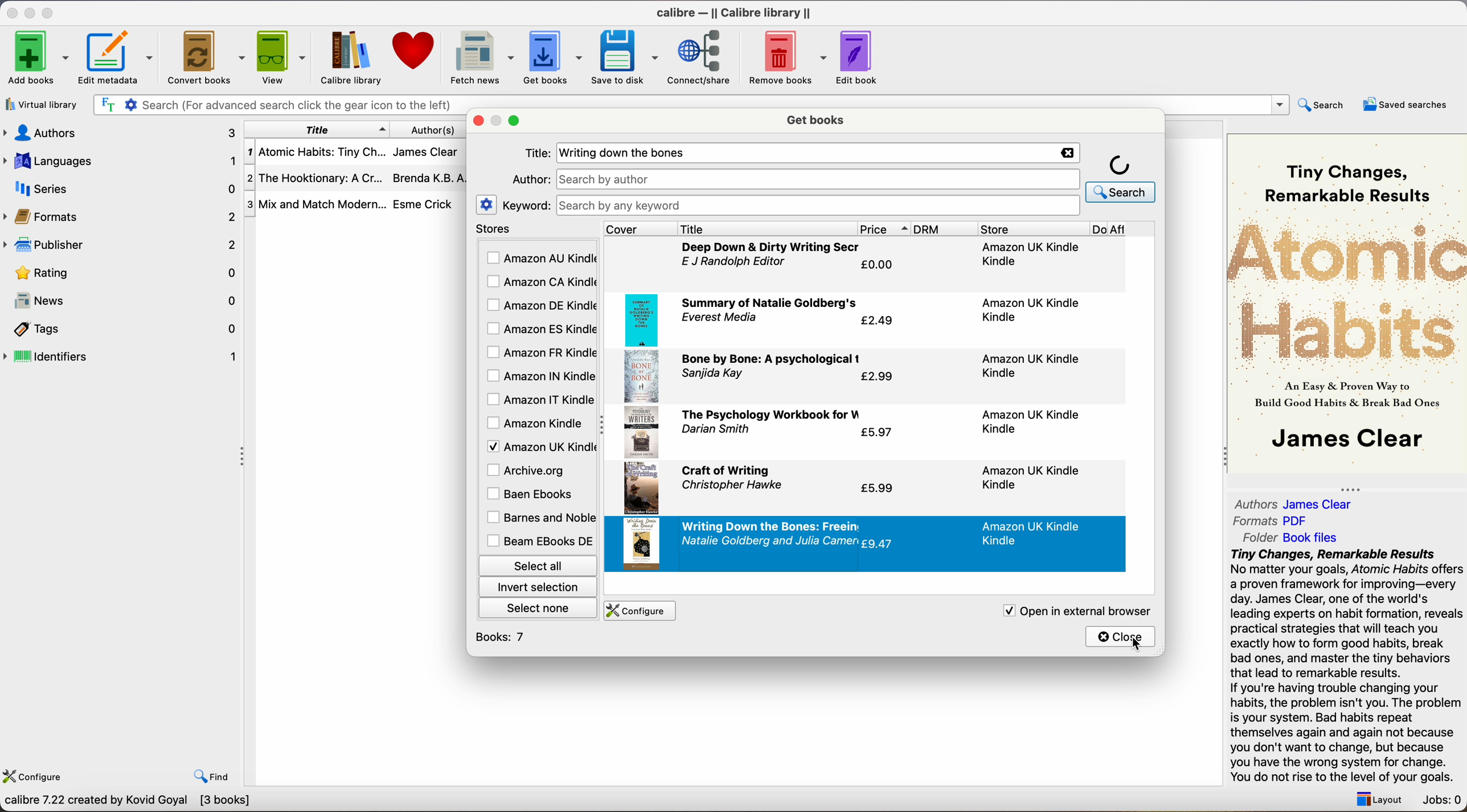 The height and width of the screenshot is (812, 1467). Describe the element at coordinates (283, 56) in the screenshot. I see `view` at that location.